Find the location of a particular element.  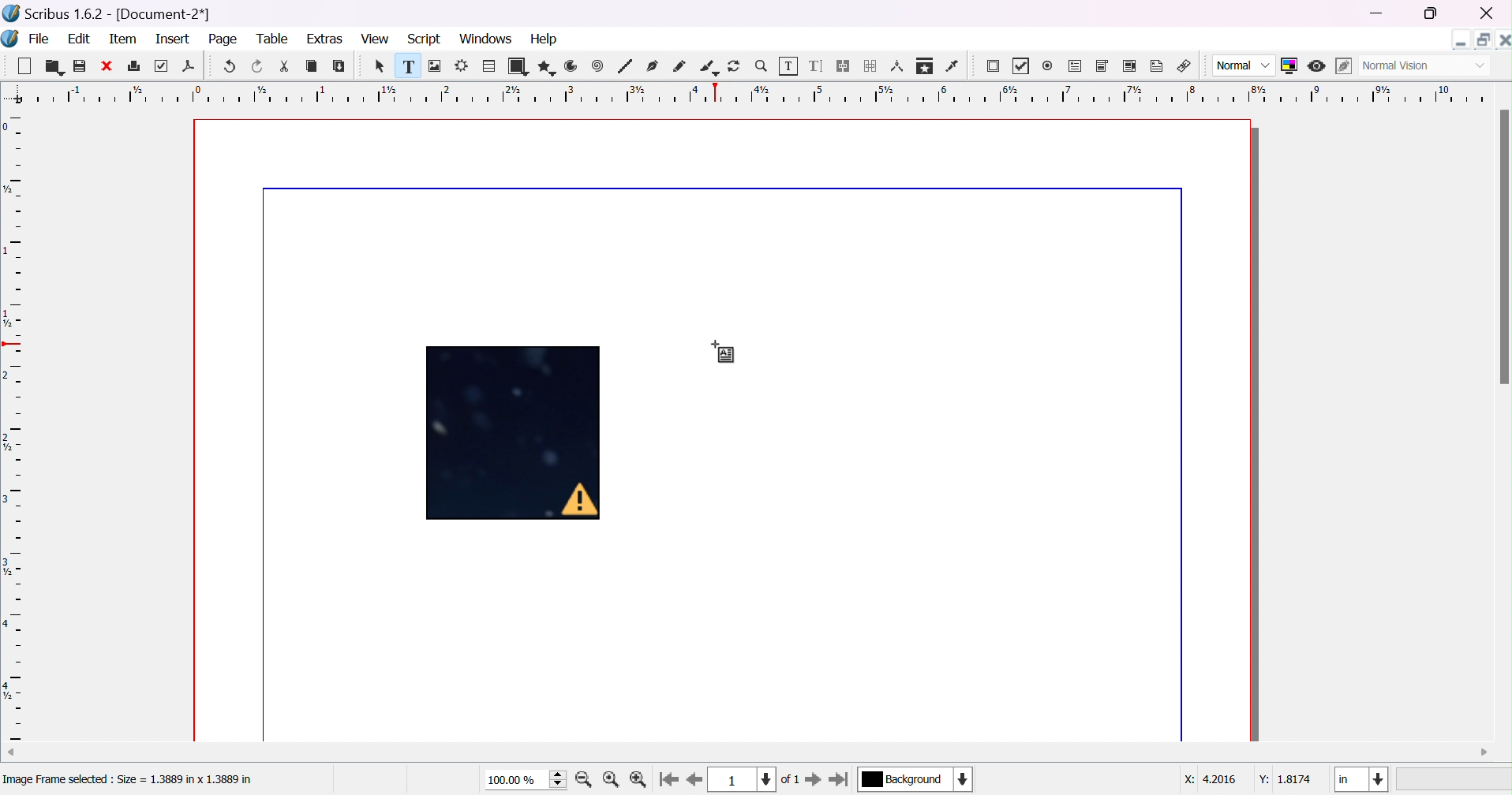

link text frames is located at coordinates (844, 66).